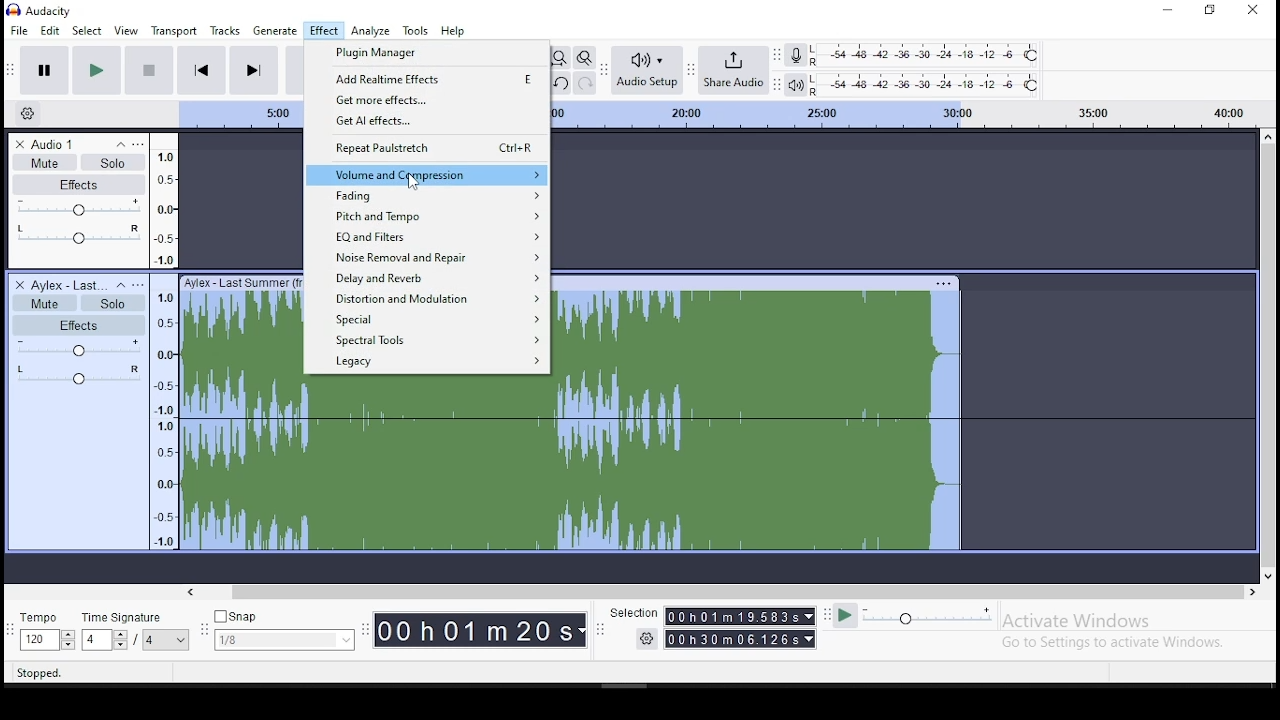 This screenshot has width=1280, height=720. I want to click on delay and reverb, so click(429, 278).